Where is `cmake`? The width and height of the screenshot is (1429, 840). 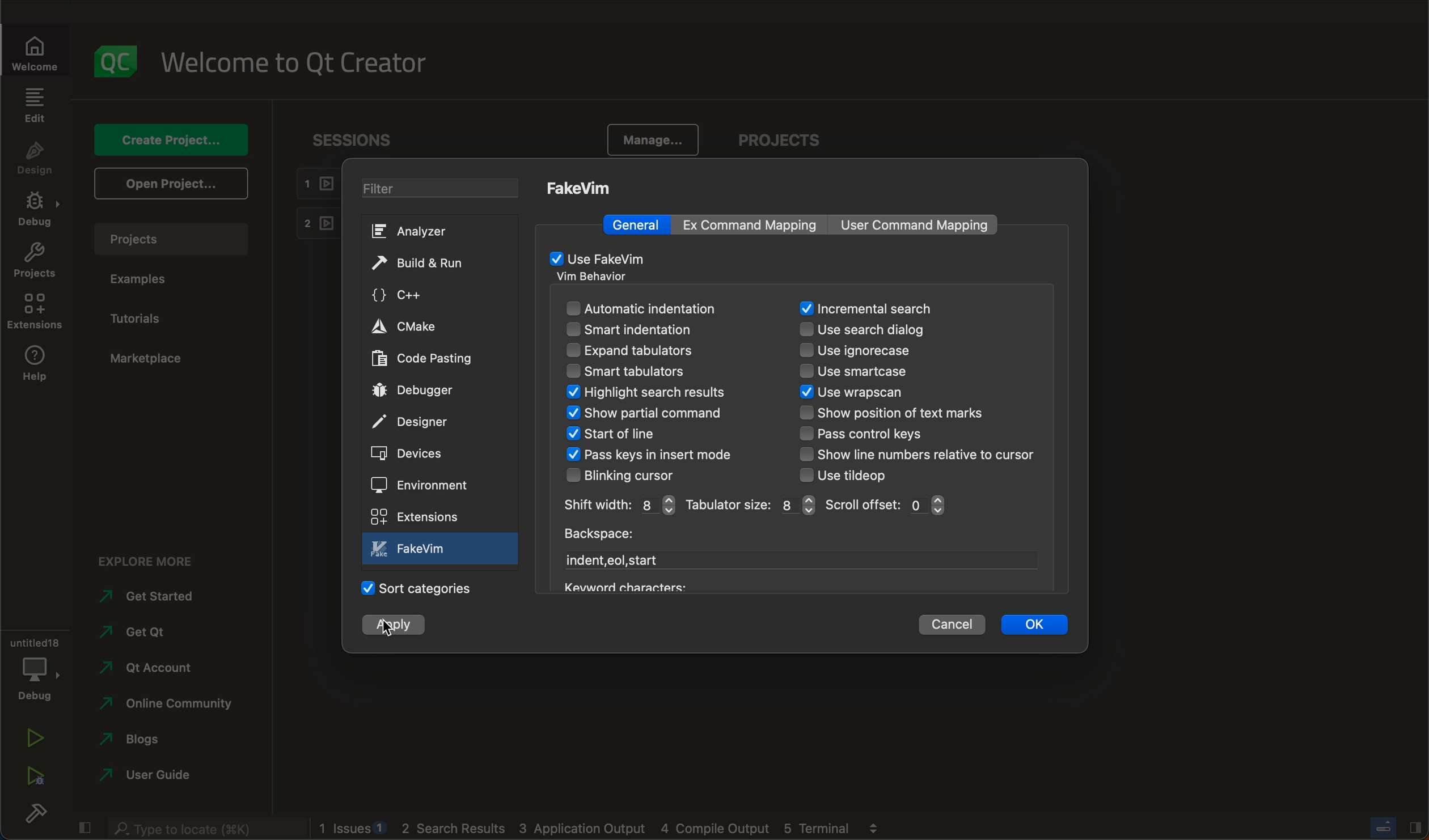 cmake is located at coordinates (427, 328).